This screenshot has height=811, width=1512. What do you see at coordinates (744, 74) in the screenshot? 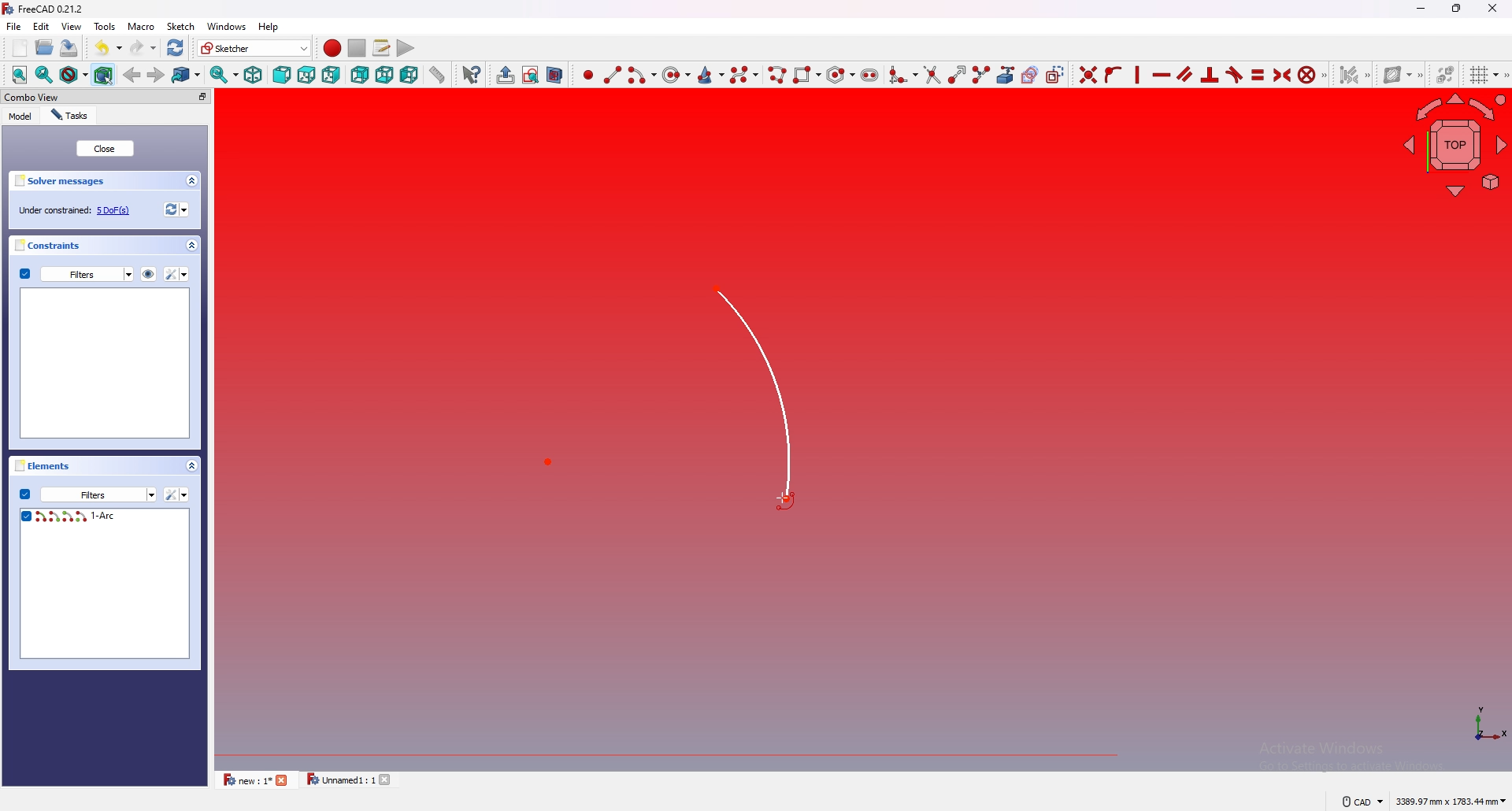
I see `create b spline` at bounding box center [744, 74].